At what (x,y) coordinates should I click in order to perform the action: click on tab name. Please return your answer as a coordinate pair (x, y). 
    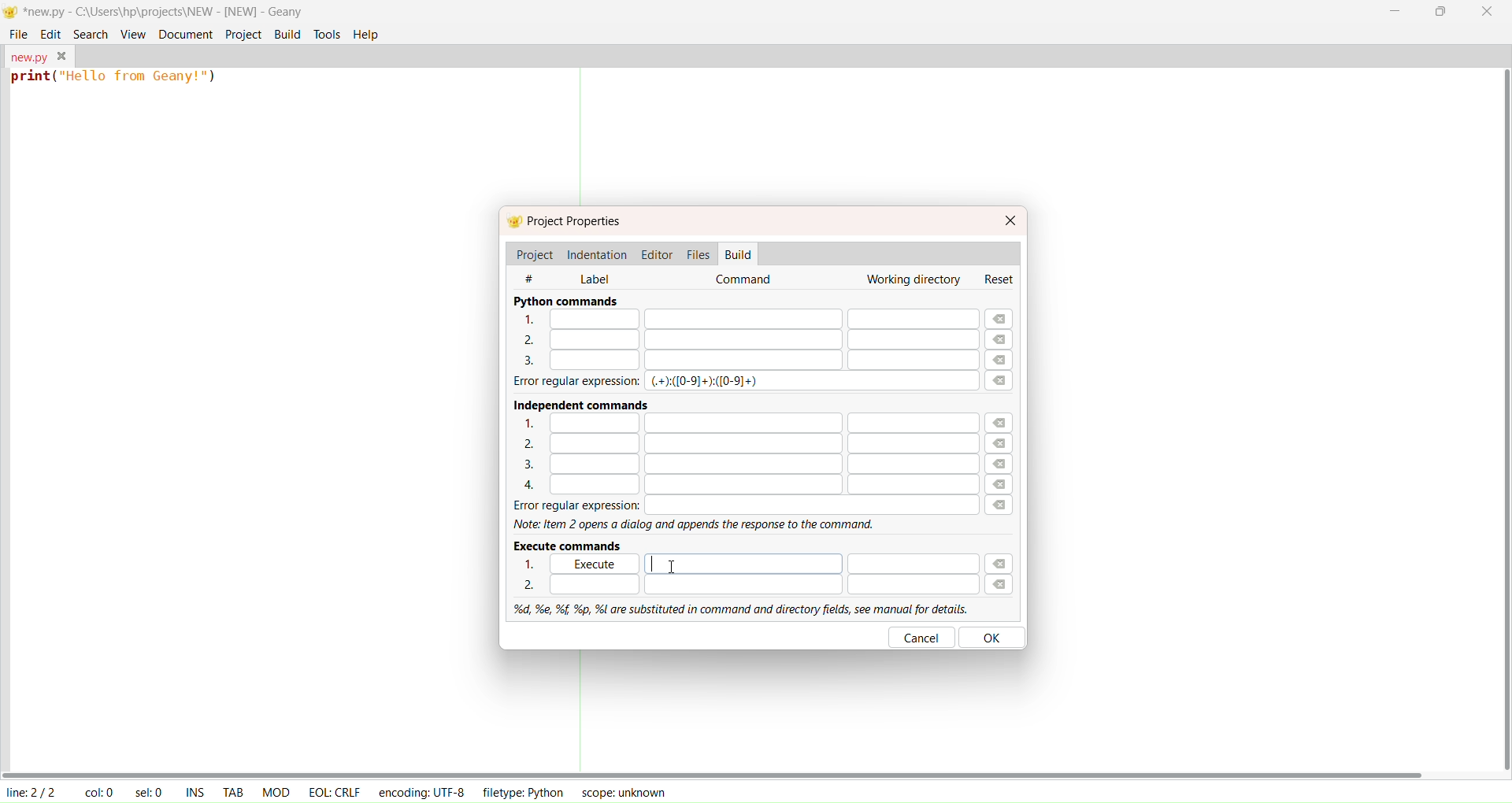
    Looking at the image, I should click on (27, 55).